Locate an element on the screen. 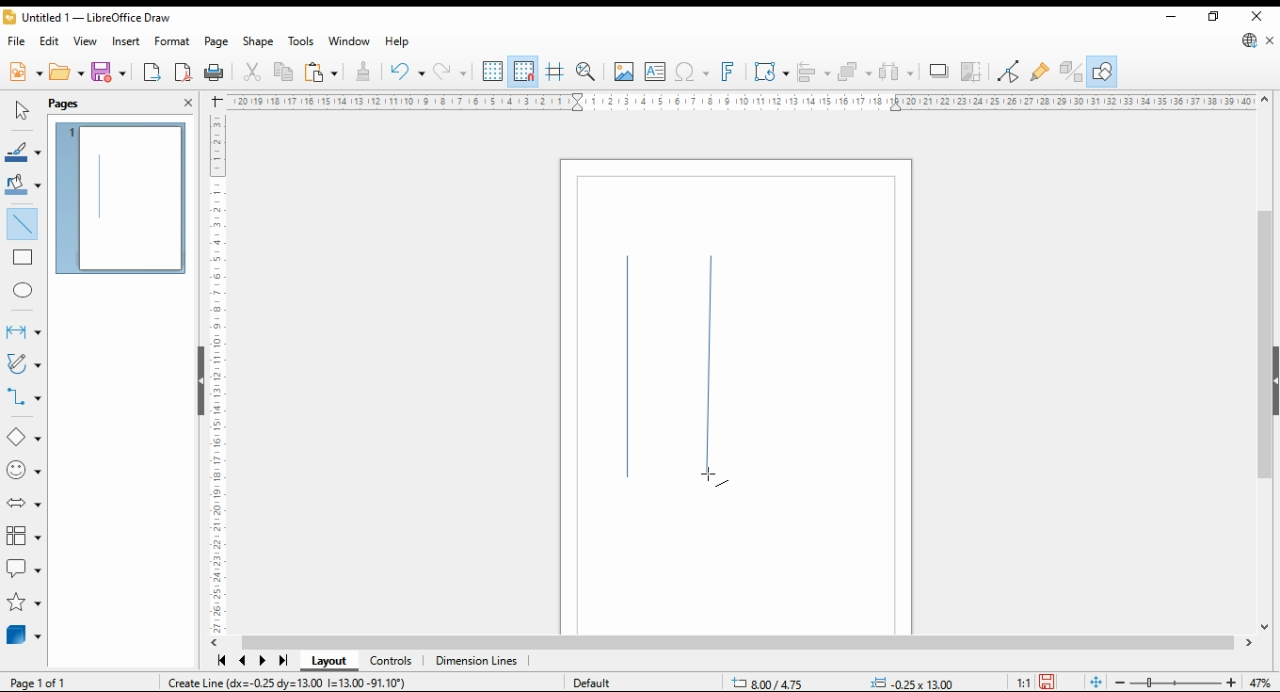 This screenshot has height=692, width=1280. -21.15/11.78 is located at coordinates (776, 684).